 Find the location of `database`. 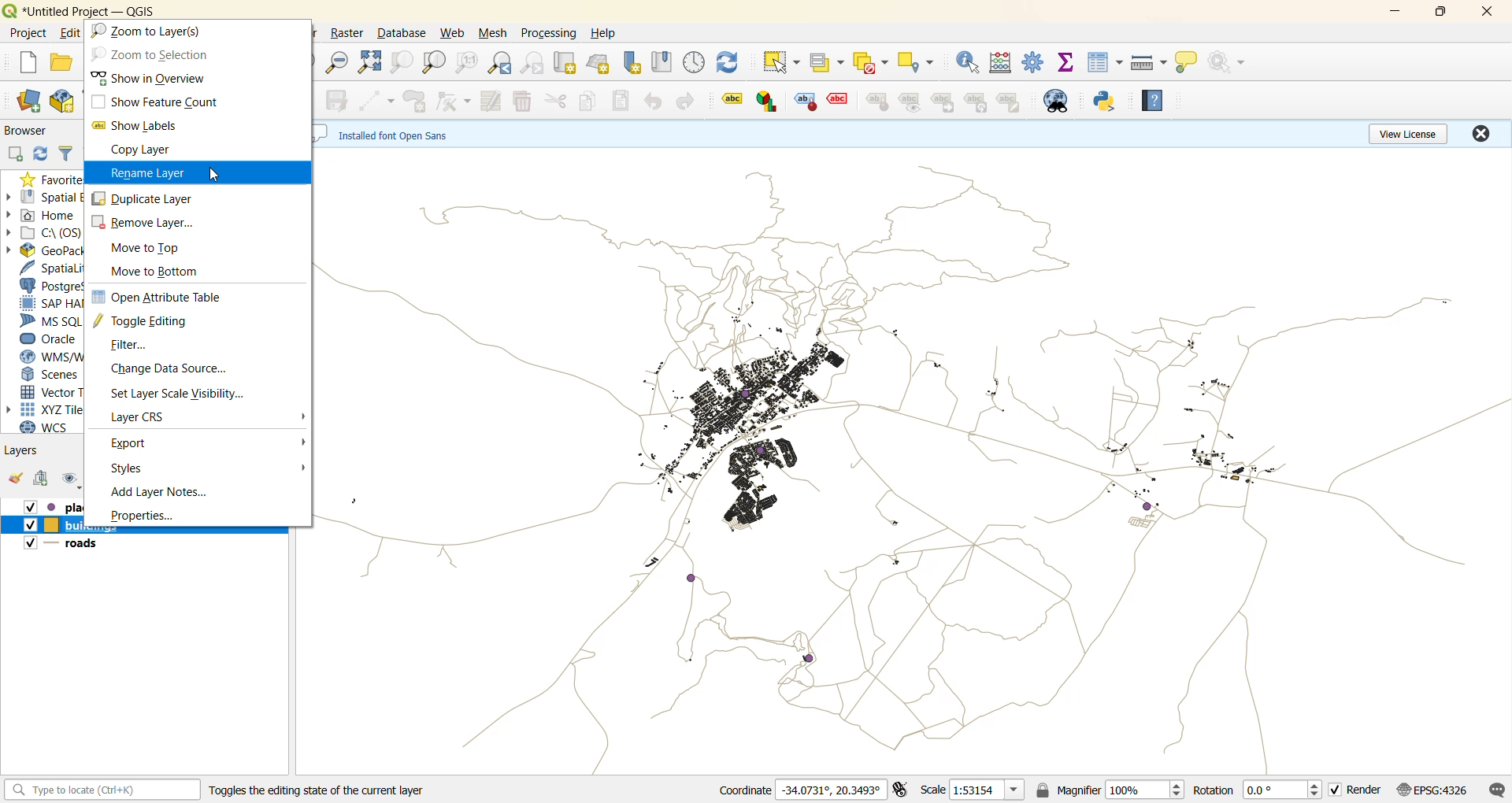

database is located at coordinates (404, 34).